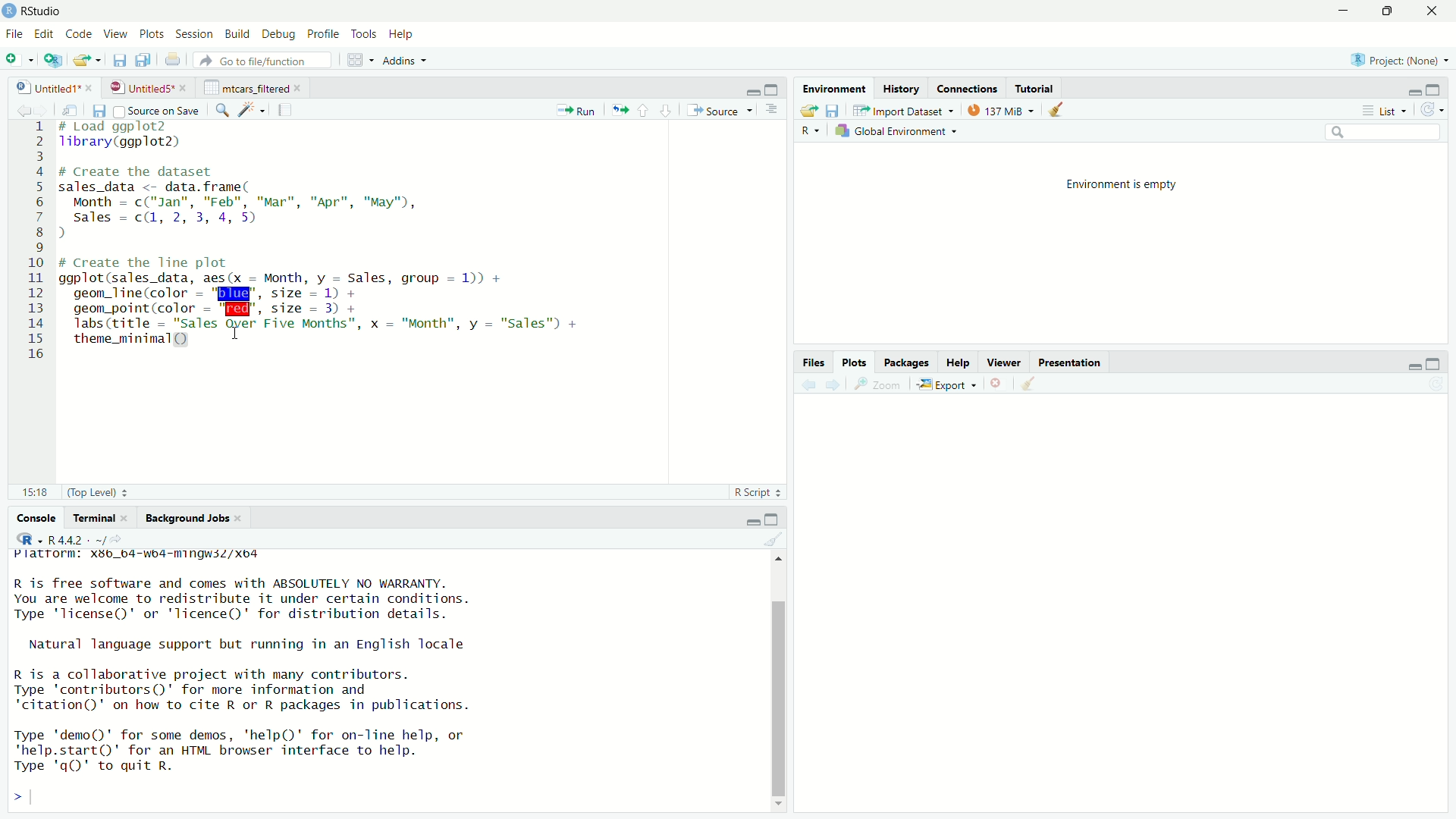 The image size is (1456, 819). Describe the element at coordinates (903, 111) in the screenshot. I see `import dataset` at that location.